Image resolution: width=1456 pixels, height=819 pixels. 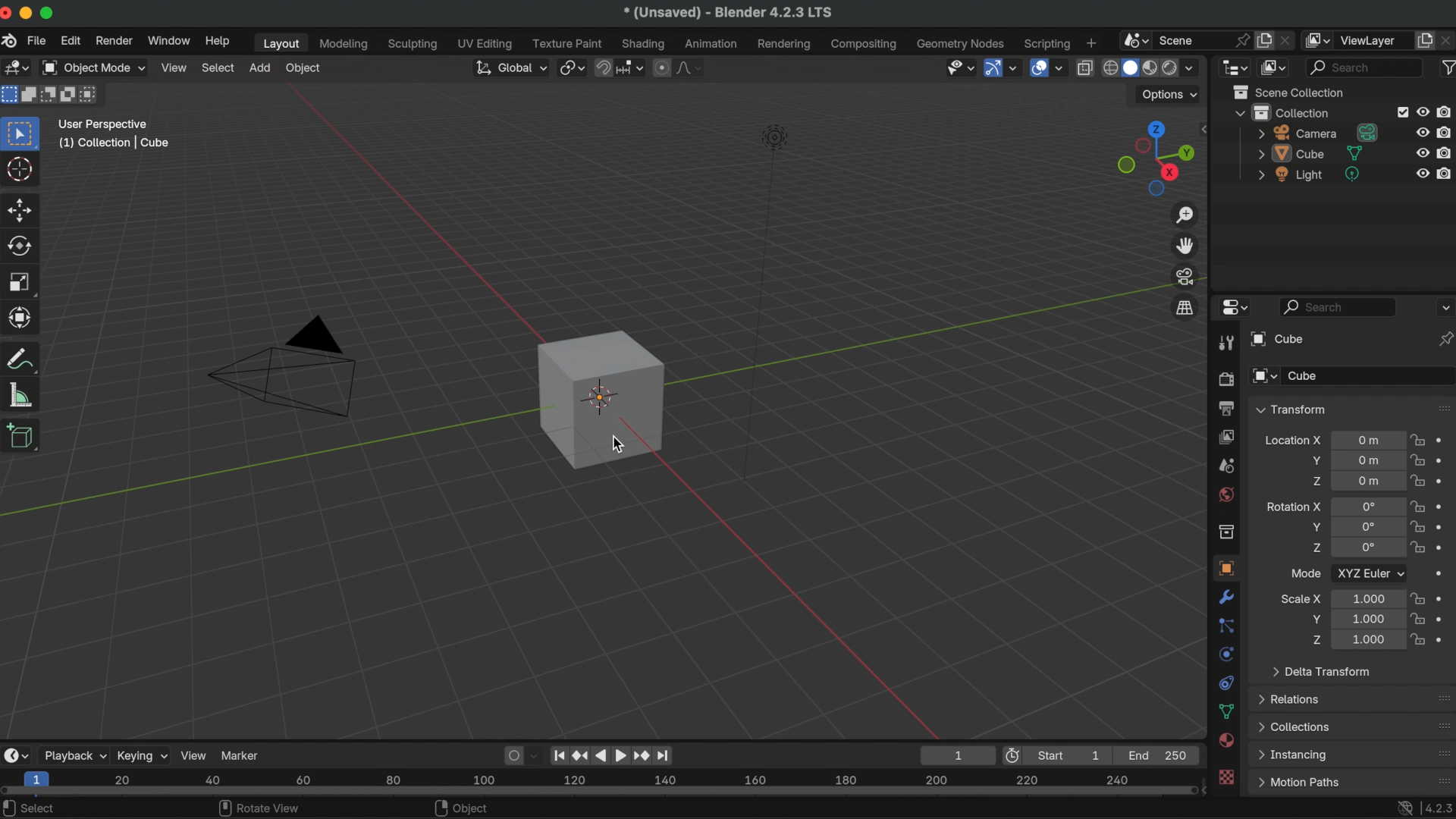 I want to click on select, so click(x=218, y=67).